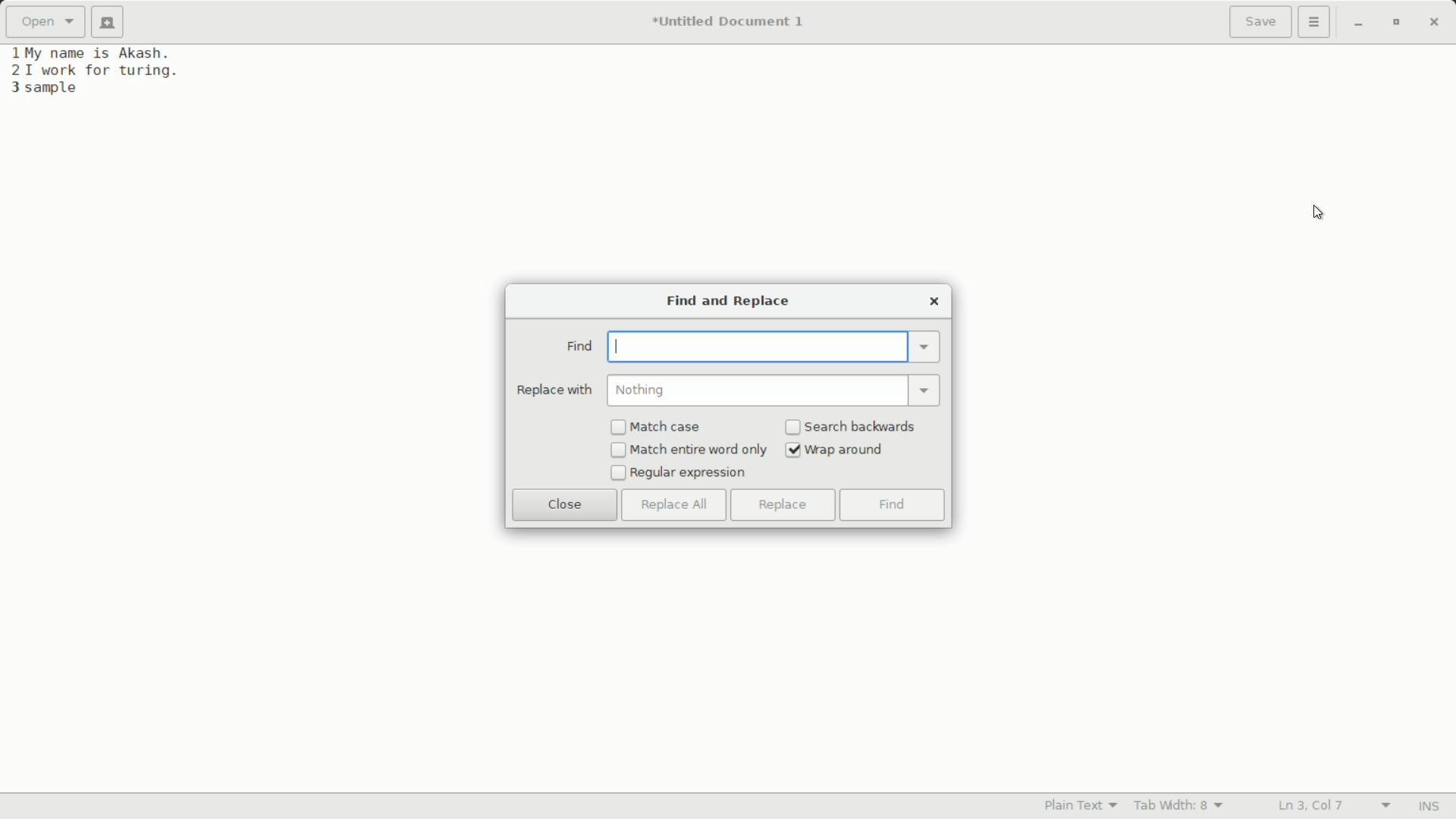  I want to click on Checked checkbox, so click(793, 450).